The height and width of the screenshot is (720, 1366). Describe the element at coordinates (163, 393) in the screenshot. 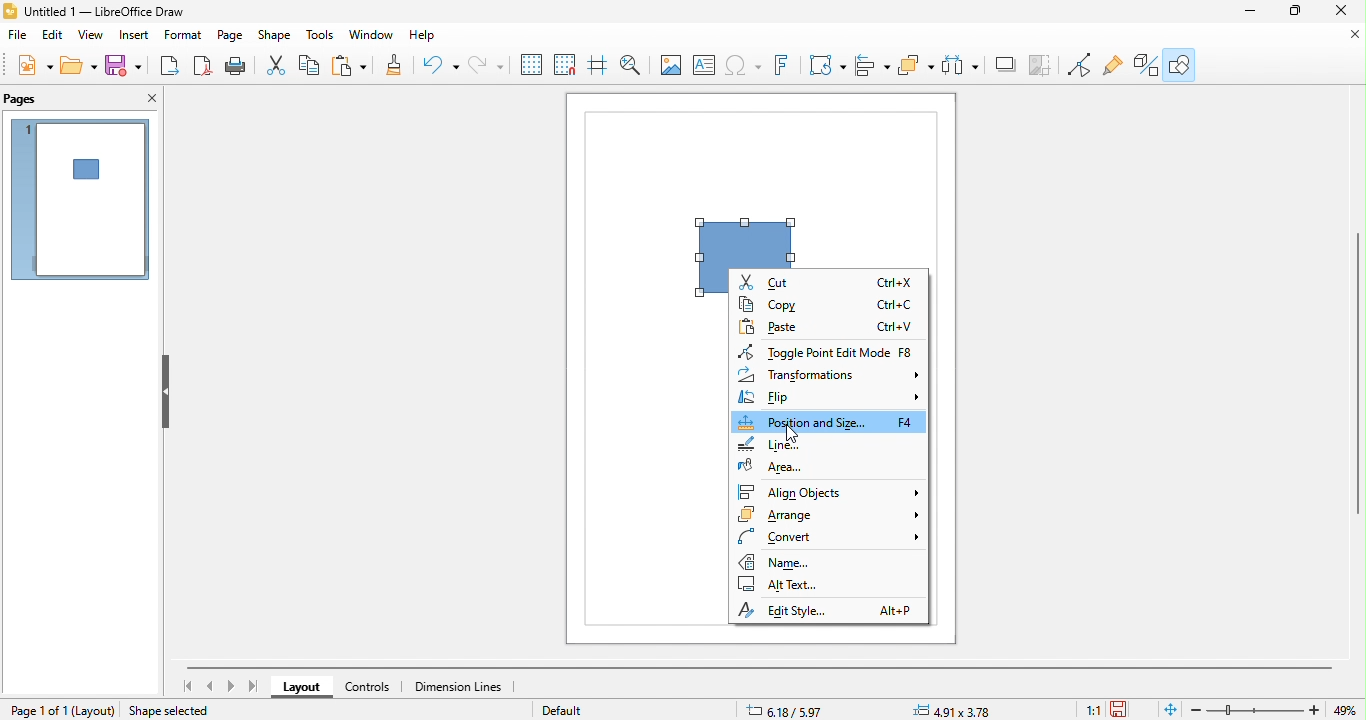

I see `hide` at that location.